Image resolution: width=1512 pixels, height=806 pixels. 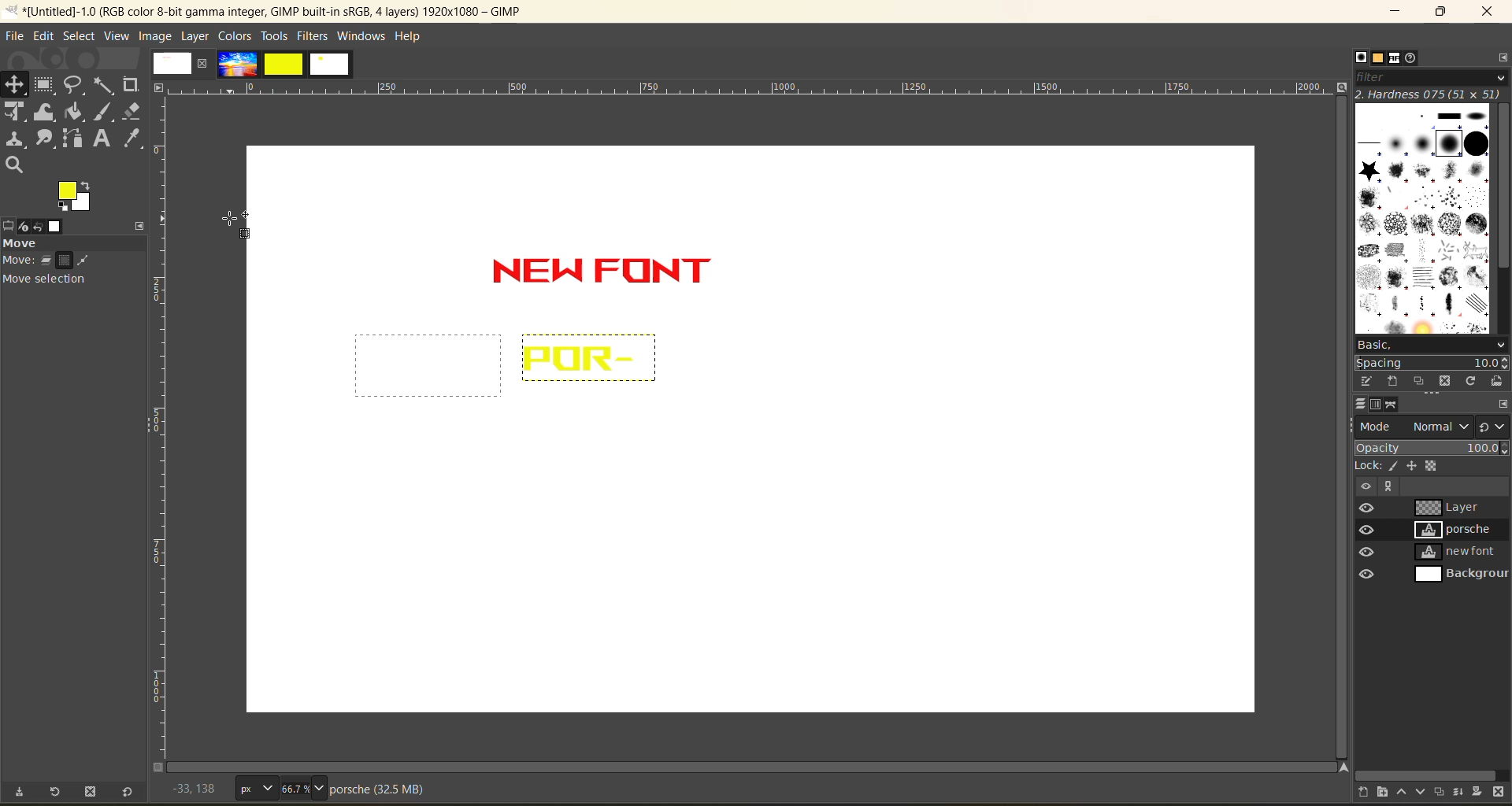 What do you see at coordinates (75, 86) in the screenshot?
I see `free select tool` at bounding box center [75, 86].